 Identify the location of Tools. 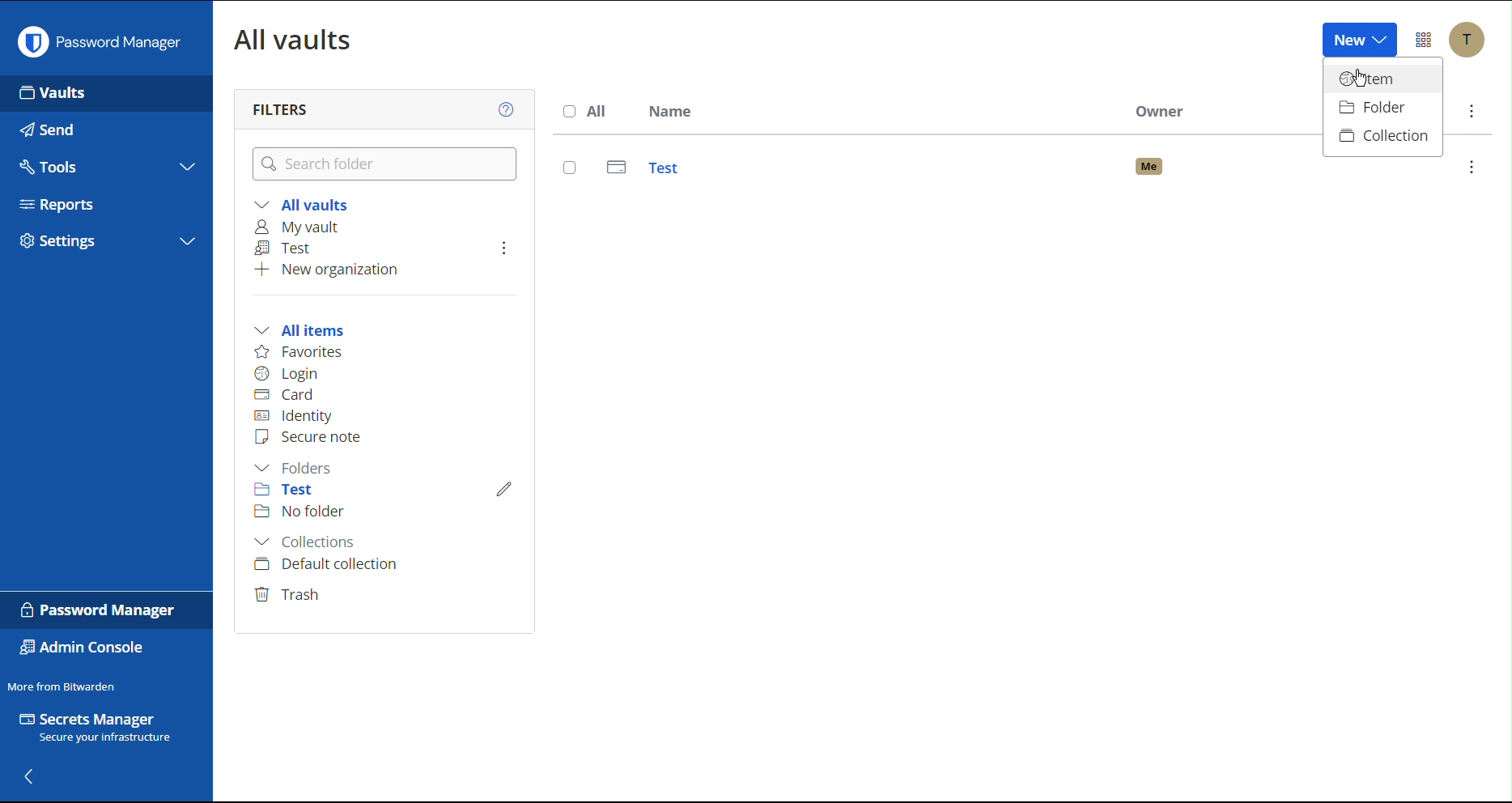
(105, 163).